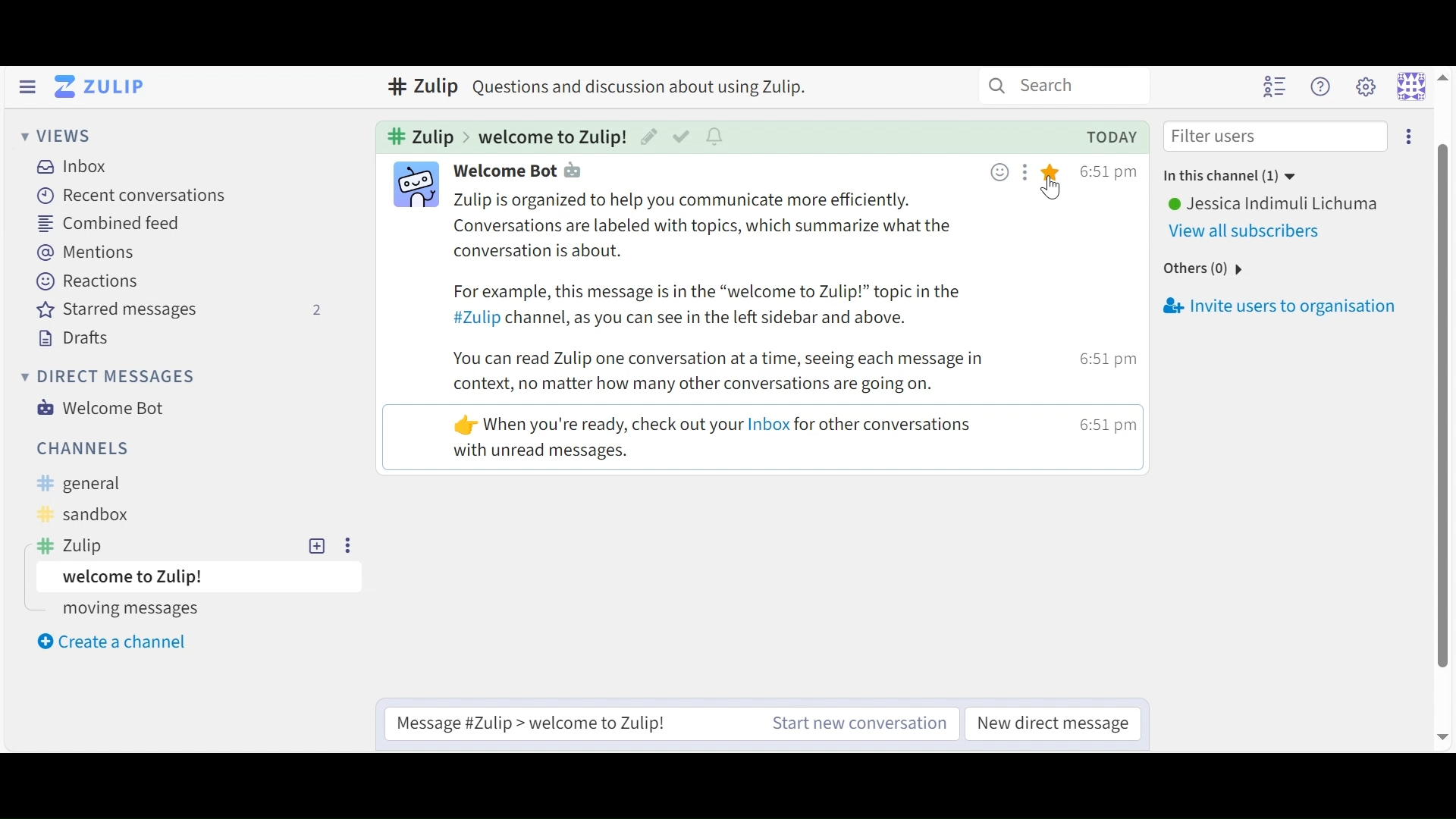 The height and width of the screenshot is (819, 1456). What do you see at coordinates (1112, 170) in the screenshot?
I see `Time` at bounding box center [1112, 170].